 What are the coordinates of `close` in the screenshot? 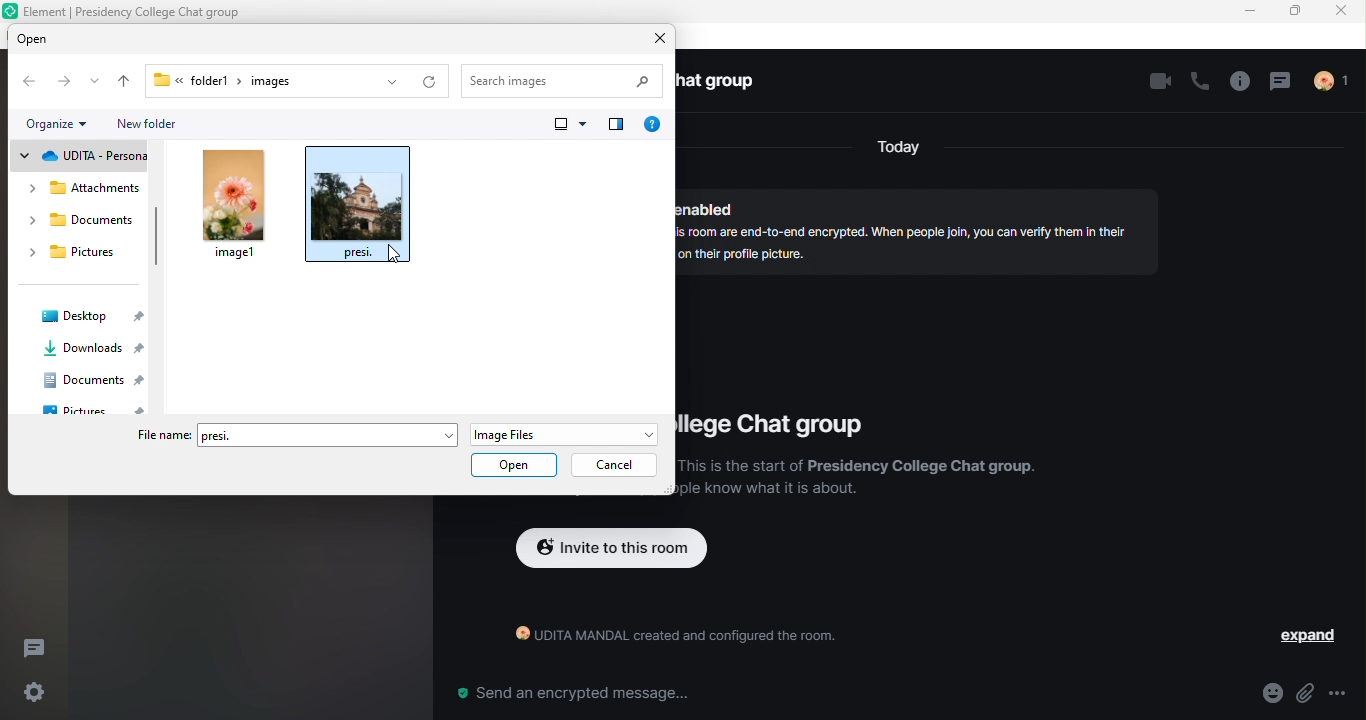 It's located at (658, 39).